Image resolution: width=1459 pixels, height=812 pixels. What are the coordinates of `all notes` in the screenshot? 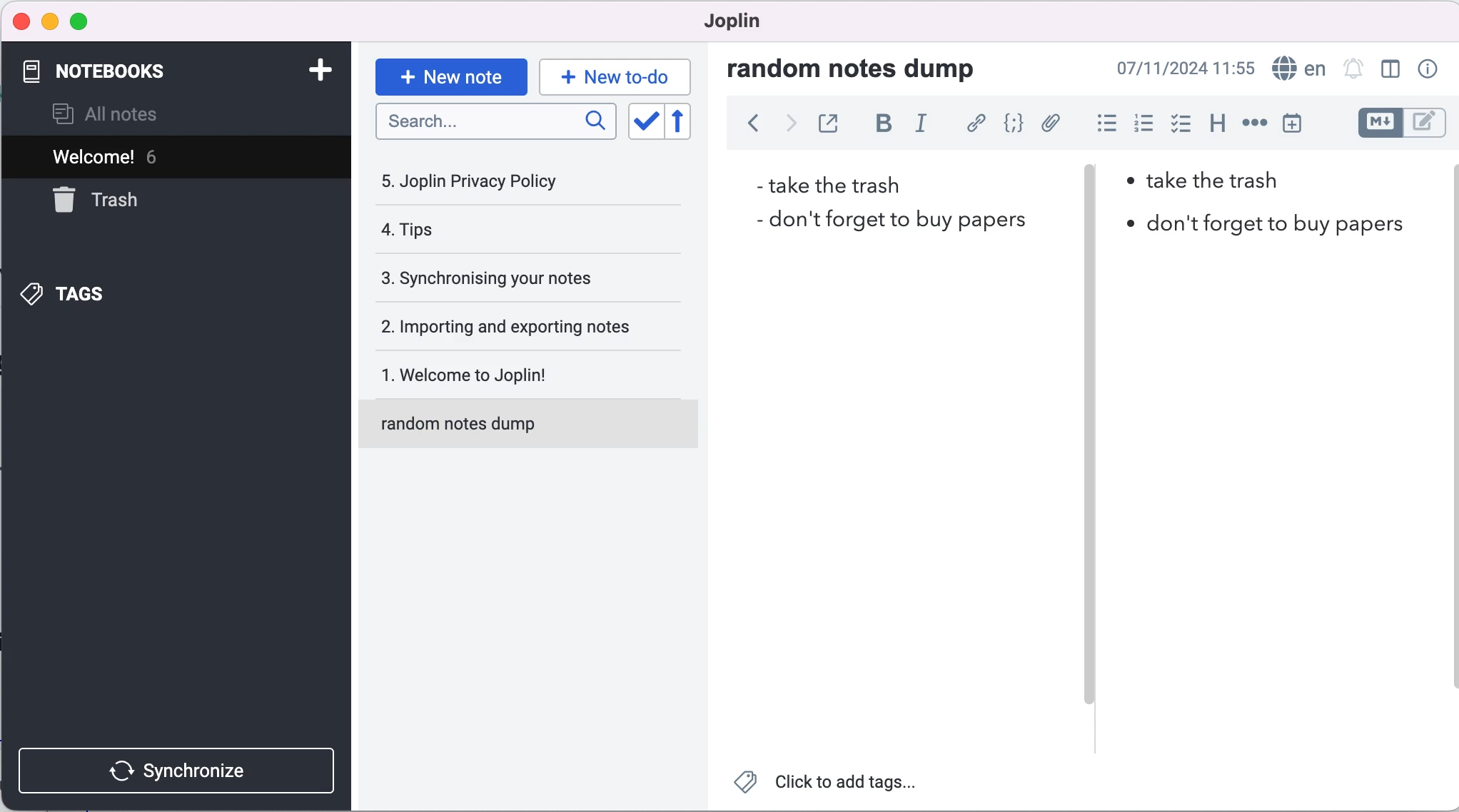 It's located at (128, 113).